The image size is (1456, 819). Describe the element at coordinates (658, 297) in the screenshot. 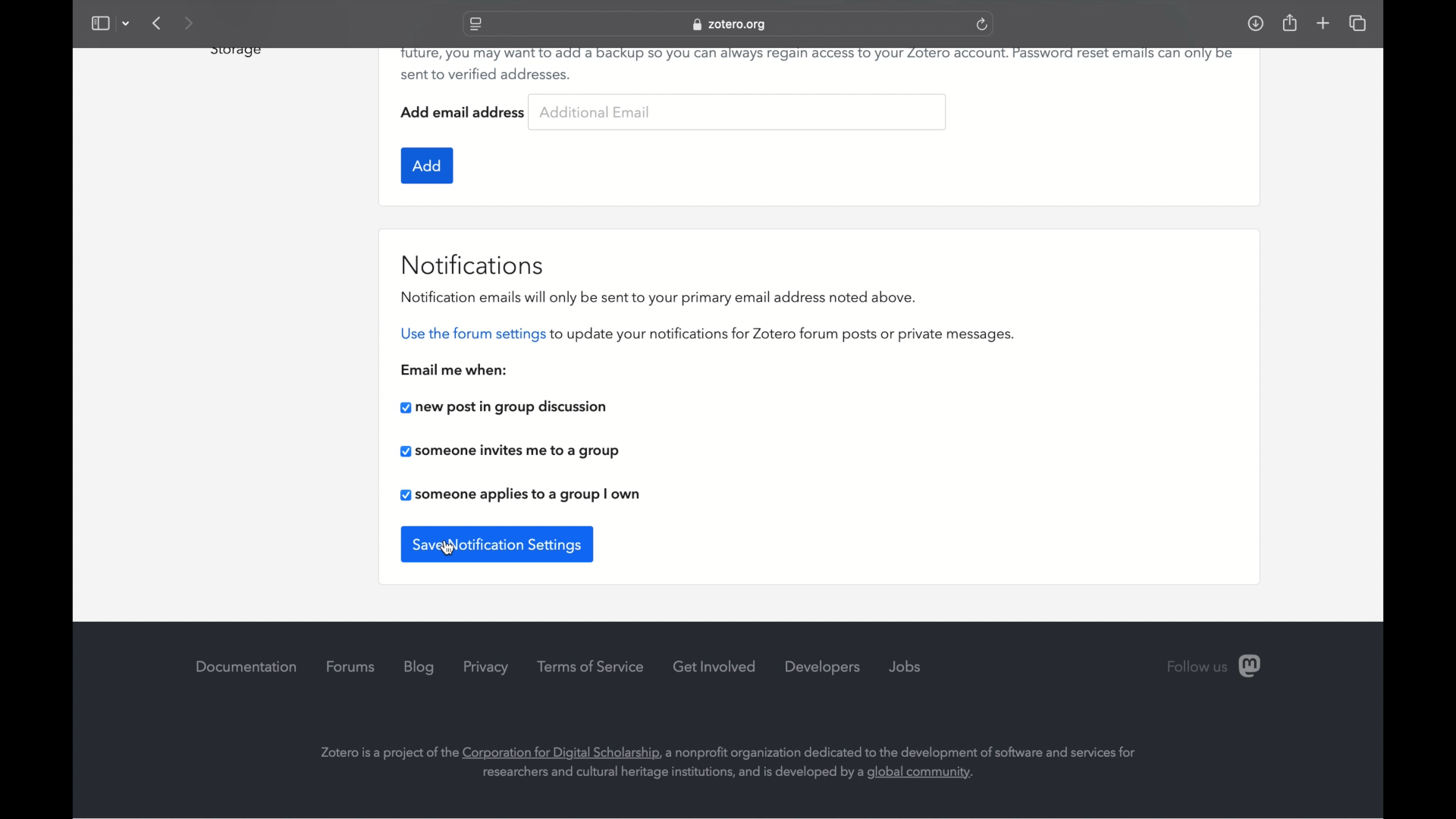

I see `notification emails will only be sent to your primary email address noted a` at that location.